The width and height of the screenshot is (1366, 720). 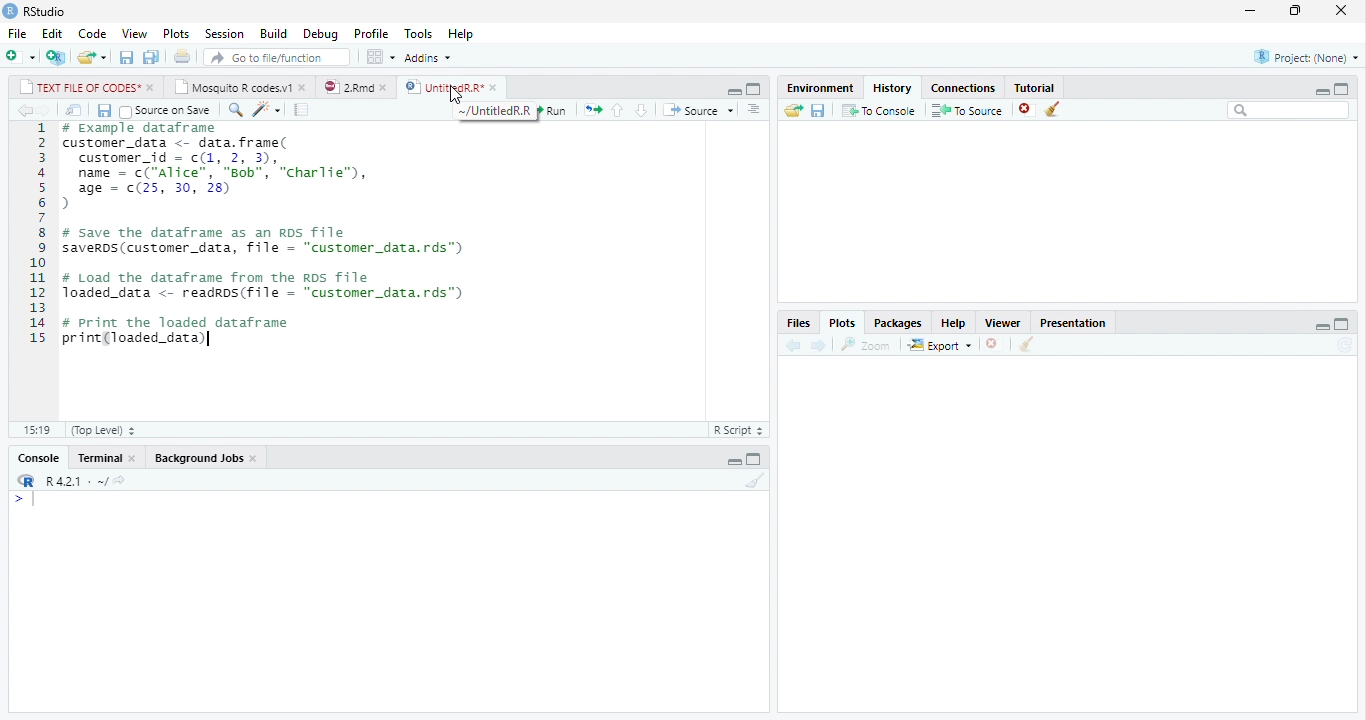 I want to click on Profile, so click(x=371, y=33).